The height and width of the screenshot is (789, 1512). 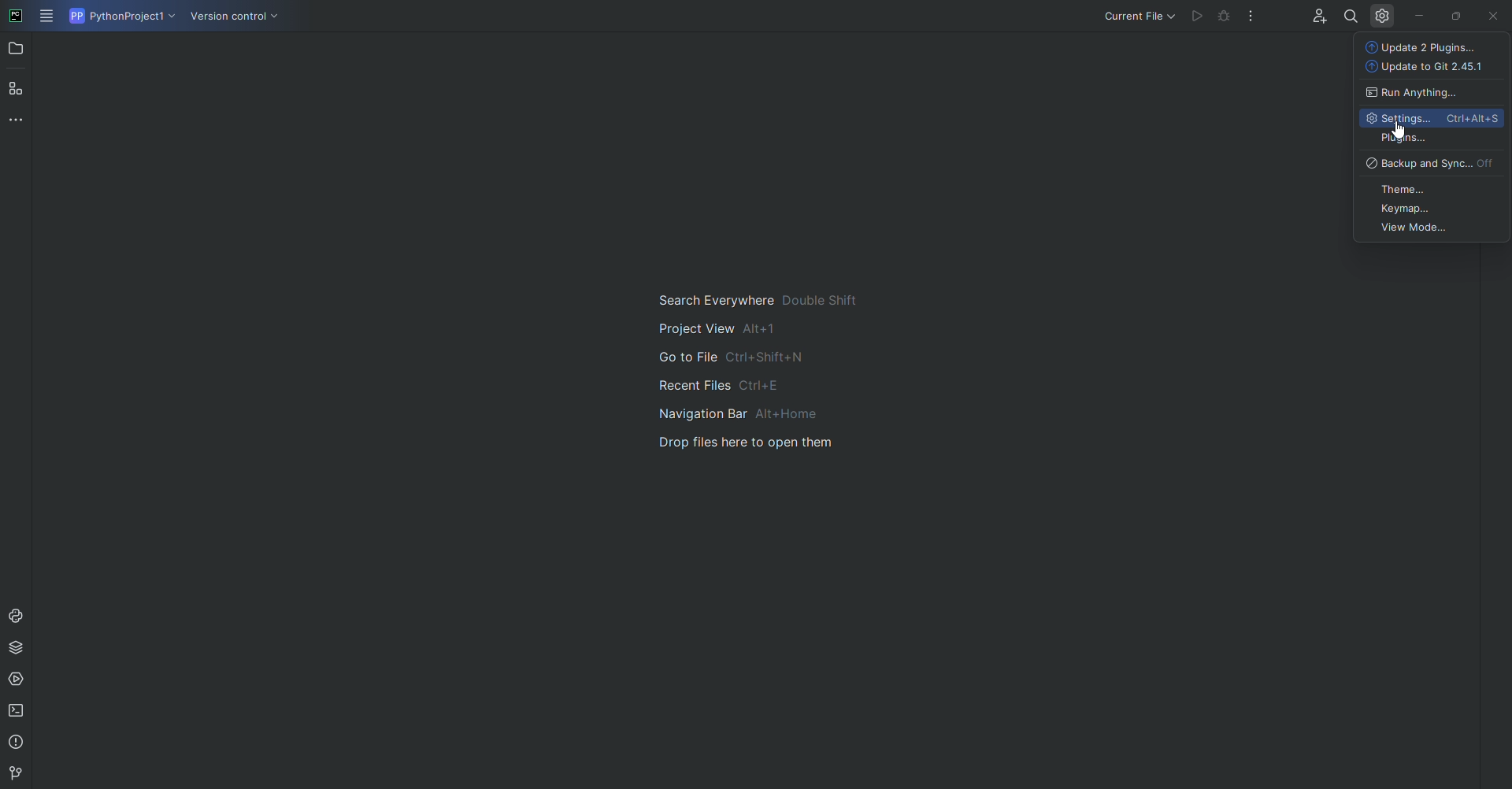 What do you see at coordinates (1415, 16) in the screenshot?
I see `Minimize` at bounding box center [1415, 16].